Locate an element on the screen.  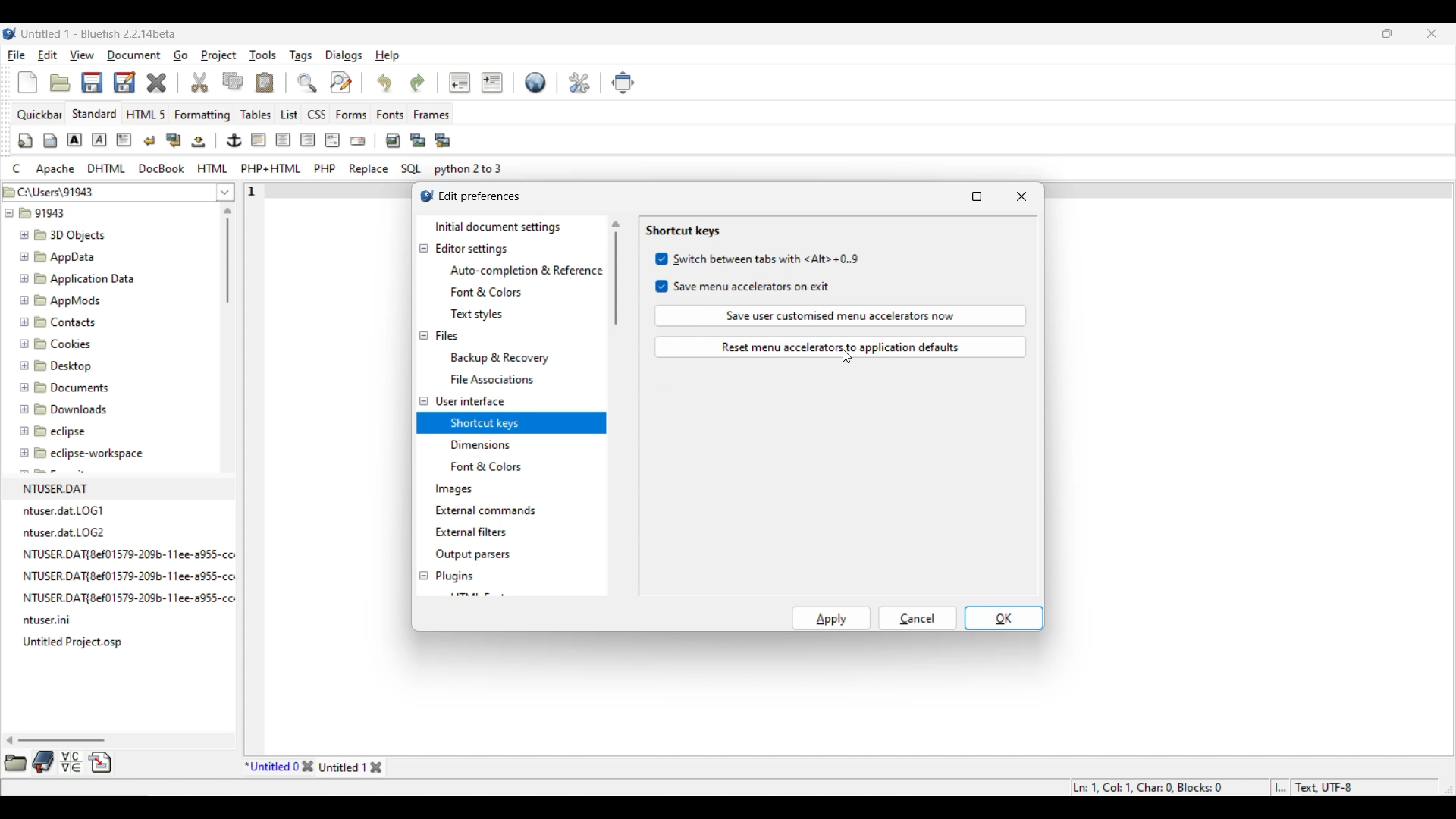
Contacts is located at coordinates (61, 321).